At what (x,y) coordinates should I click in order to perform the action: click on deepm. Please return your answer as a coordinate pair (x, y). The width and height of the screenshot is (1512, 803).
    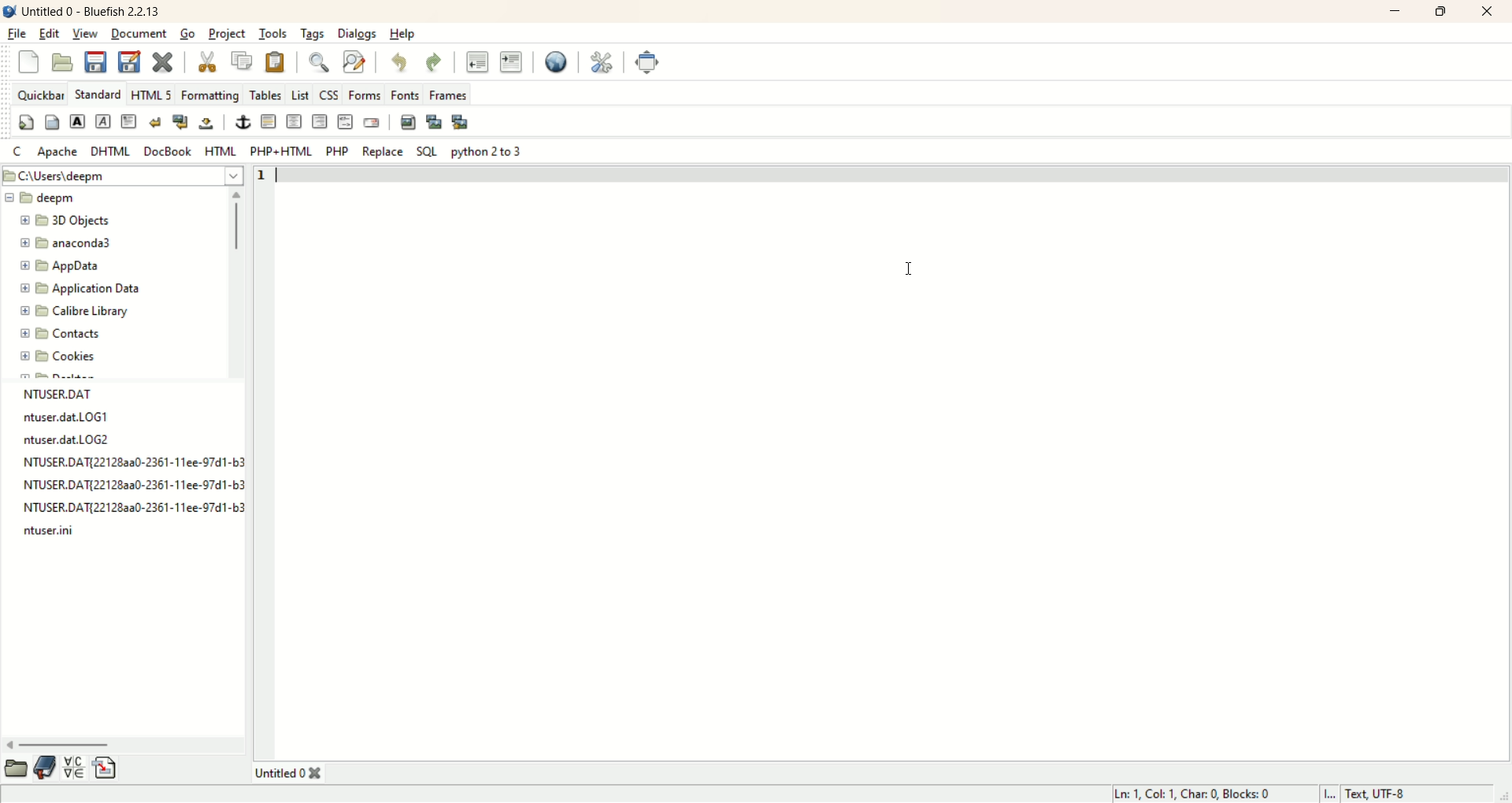
    Looking at the image, I should click on (45, 199).